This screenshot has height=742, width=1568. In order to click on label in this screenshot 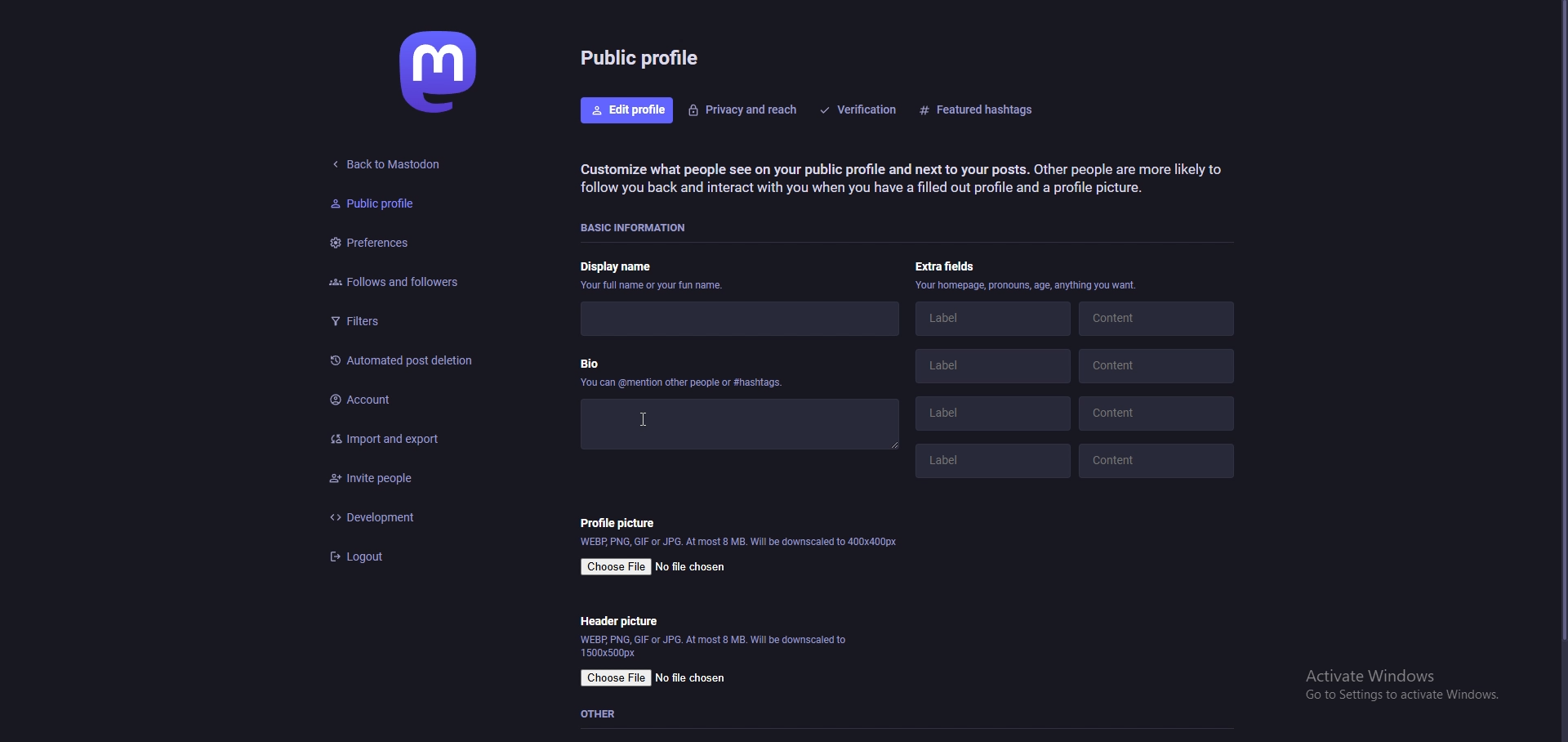, I will do `click(993, 413)`.